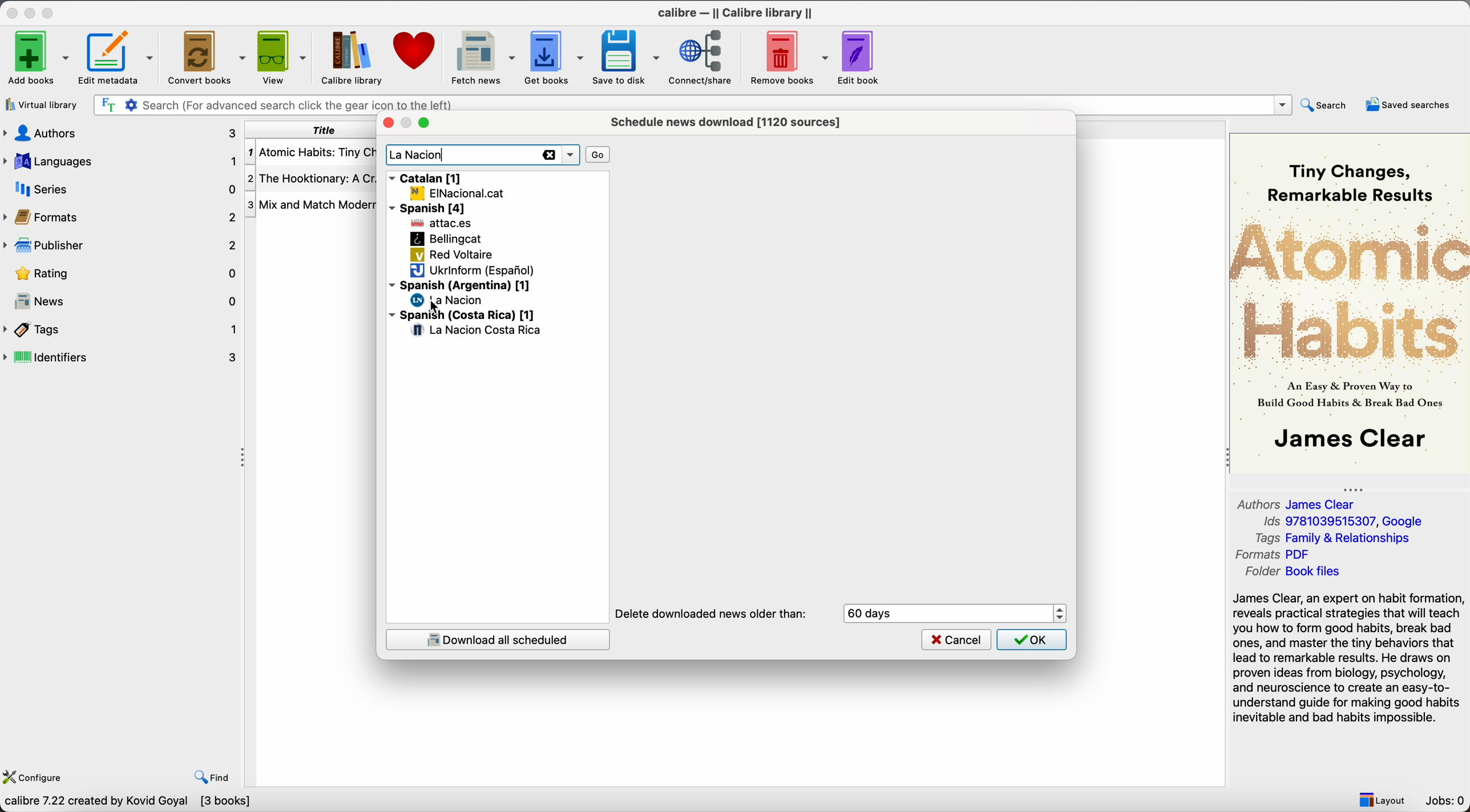 The height and width of the screenshot is (812, 1470). I want to click on The Hooktionary: A Cr..., so click(312, 179).